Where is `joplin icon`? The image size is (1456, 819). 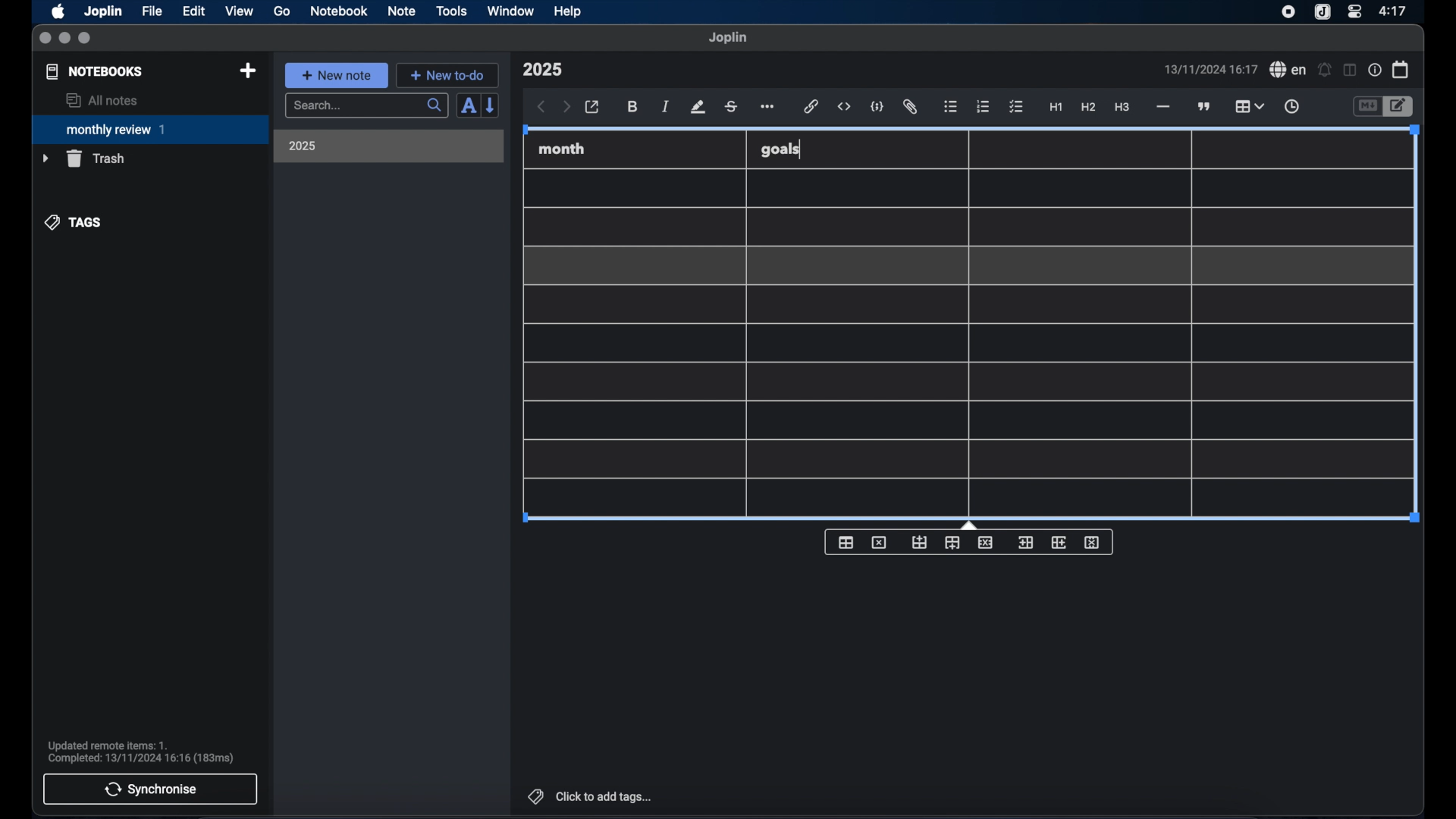
joplin icon is located at coordinates (1321, 13).